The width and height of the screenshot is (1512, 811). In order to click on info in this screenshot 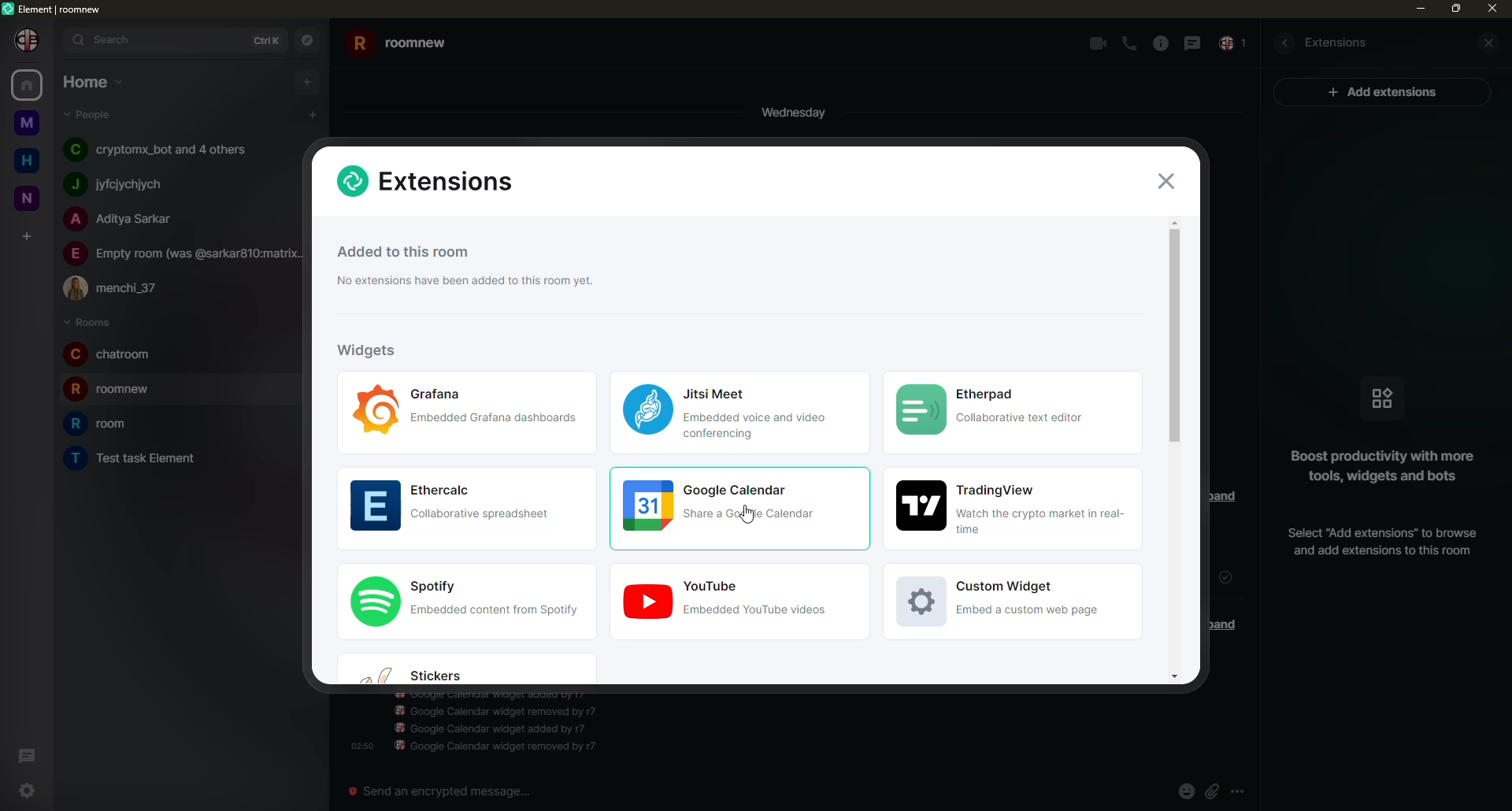, I will do `click(470, 262)`.